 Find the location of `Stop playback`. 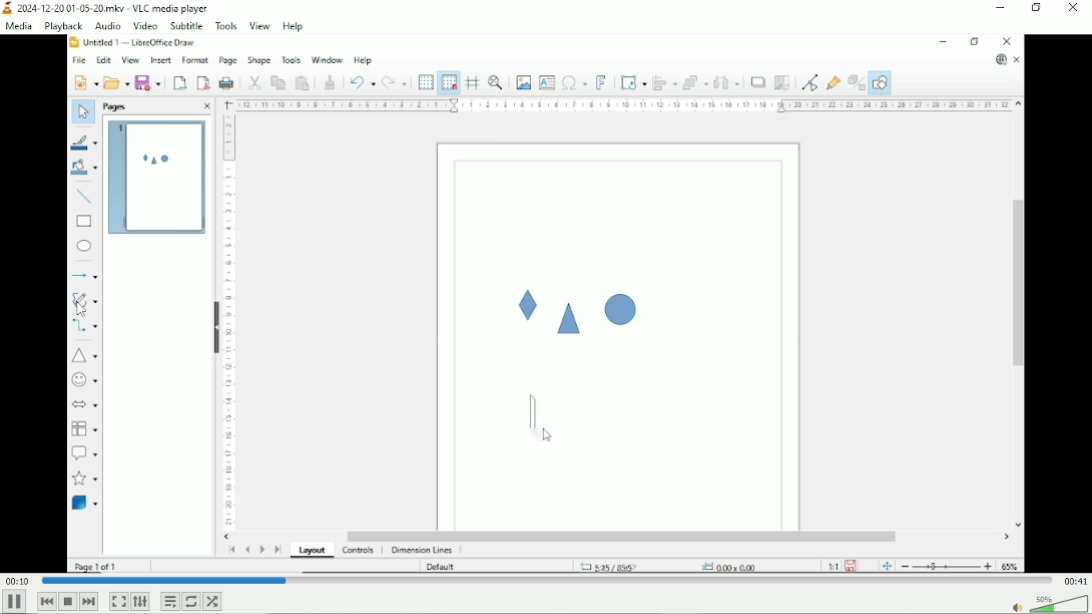

Stop playback is located at coordinates (67, 601).